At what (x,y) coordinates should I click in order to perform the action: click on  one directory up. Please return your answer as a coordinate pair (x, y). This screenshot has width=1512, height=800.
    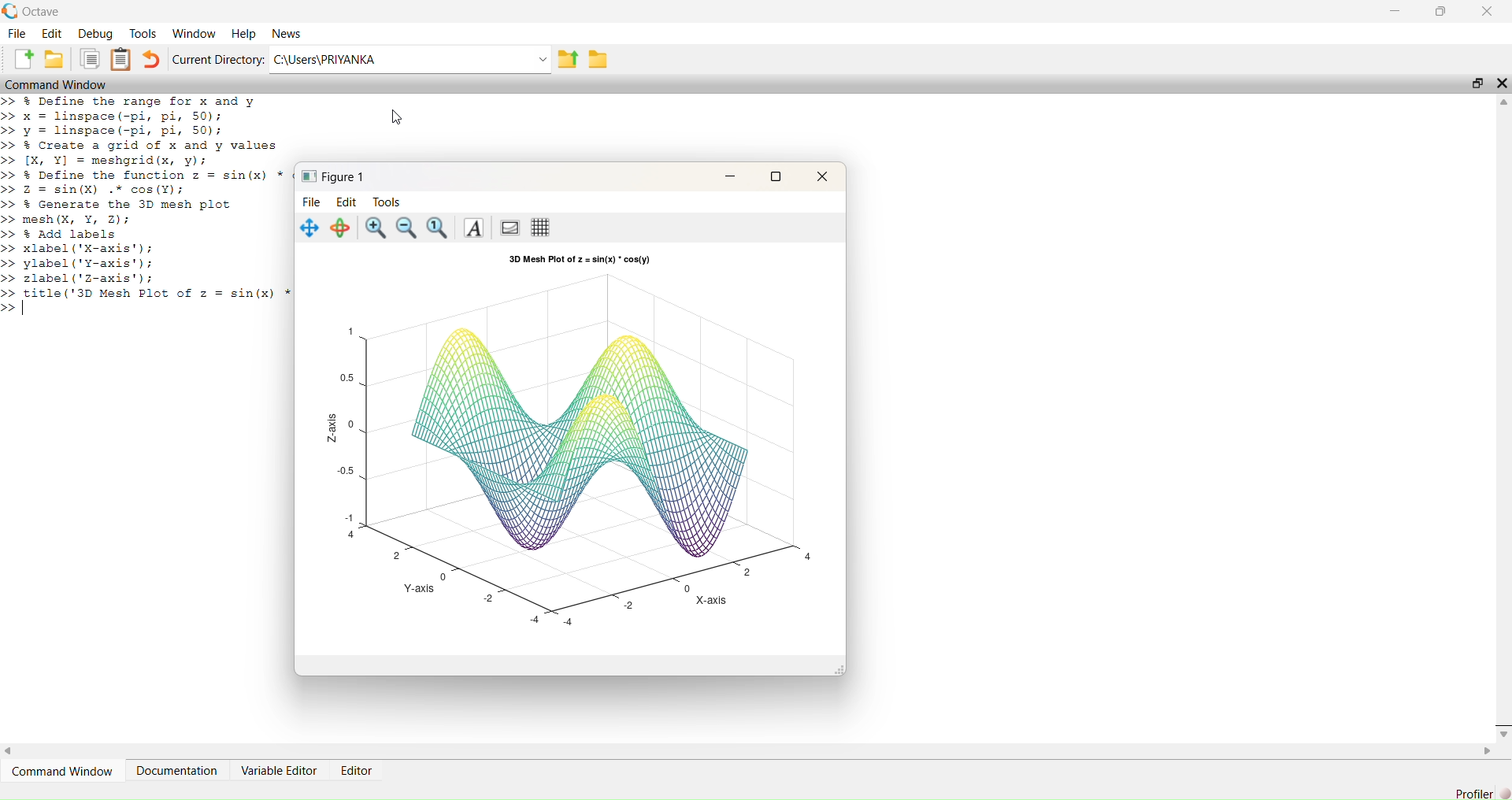
    Looking at the image, I should click on (568, 58).